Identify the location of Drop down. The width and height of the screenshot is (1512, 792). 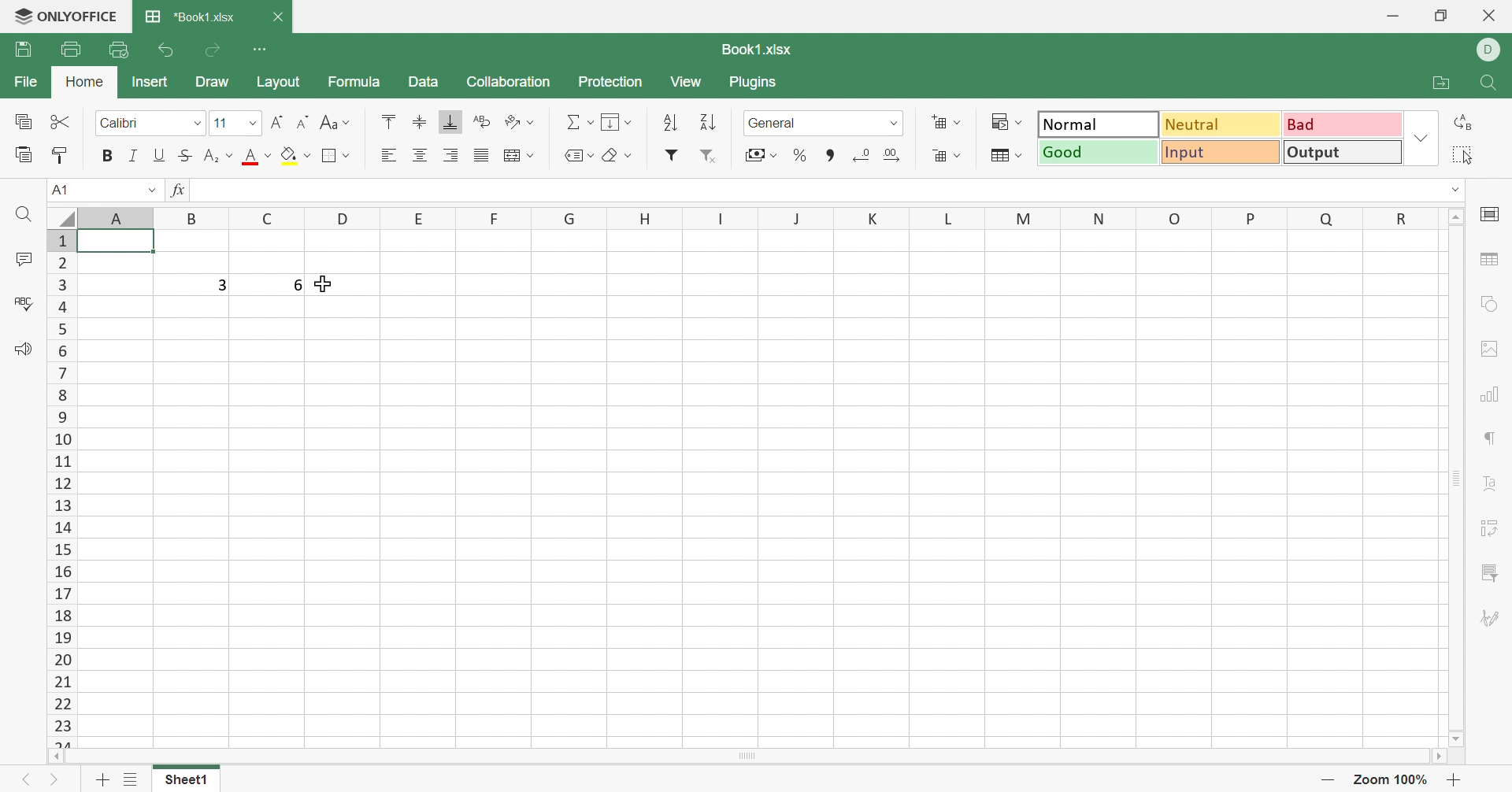
(1422, 139).